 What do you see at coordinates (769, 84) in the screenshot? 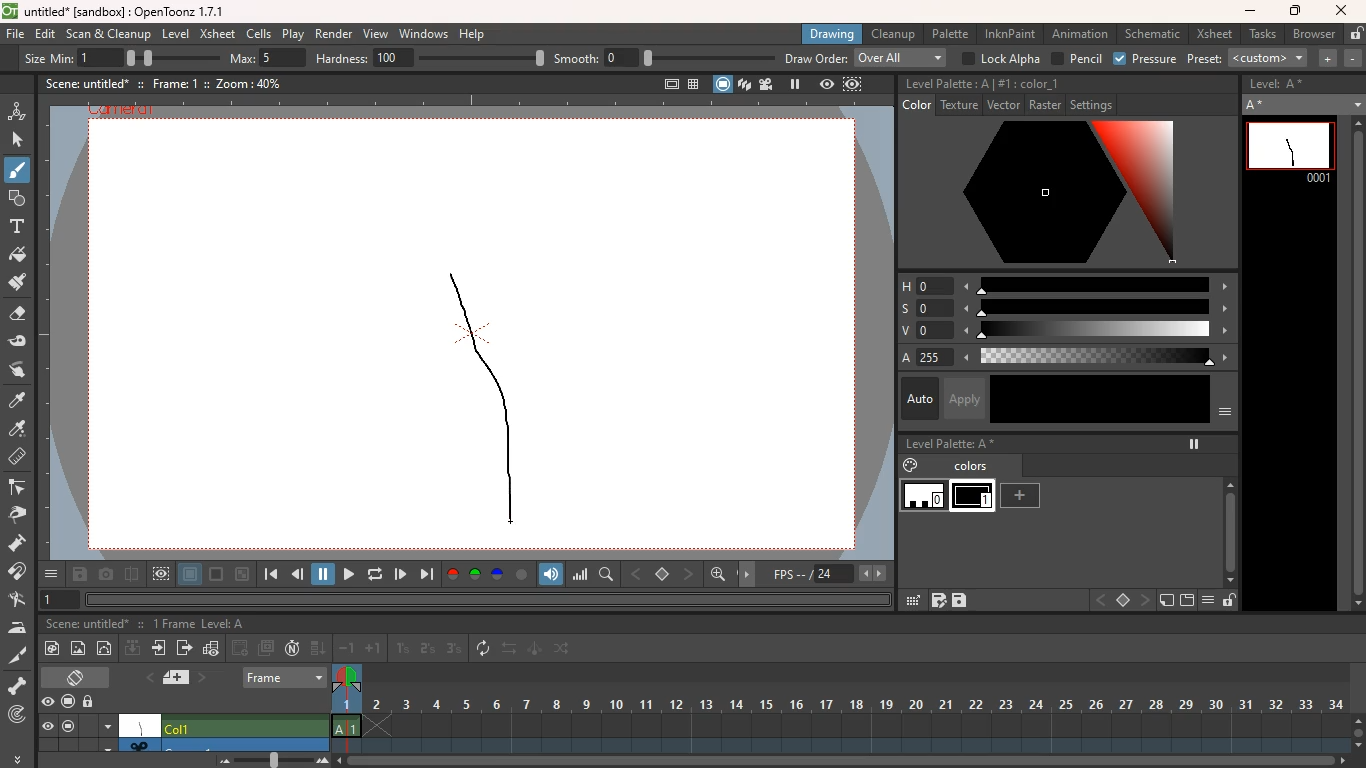
I see `film` at bounding box center [769, 84].